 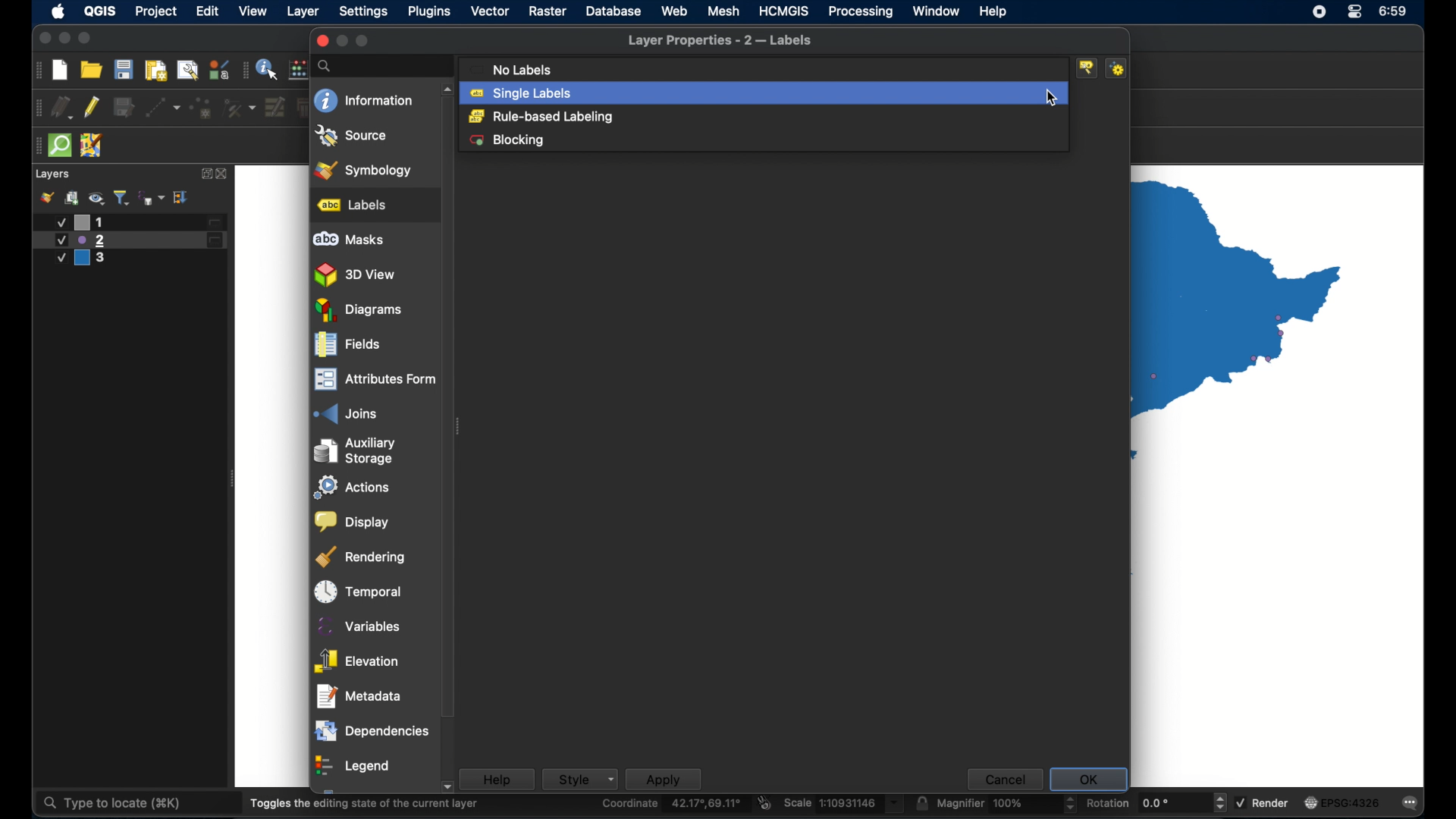 I want to click on abc masks, so click(x=350, y=240).